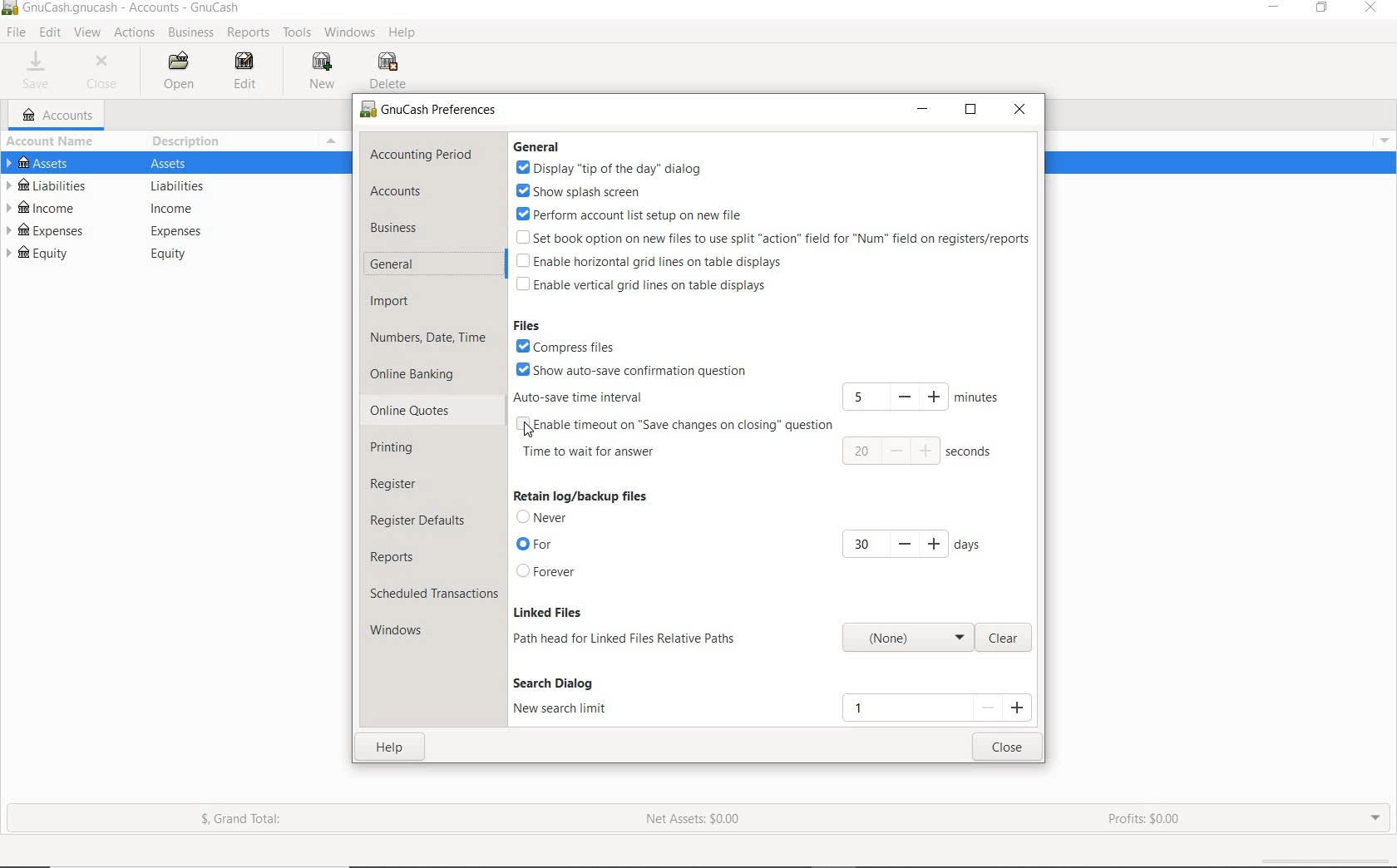 This screenshot has width=1397, height=868. I want to click on set book option on new files to use split 'action' field for "nun" field on registers/reports, so click(771, 237).